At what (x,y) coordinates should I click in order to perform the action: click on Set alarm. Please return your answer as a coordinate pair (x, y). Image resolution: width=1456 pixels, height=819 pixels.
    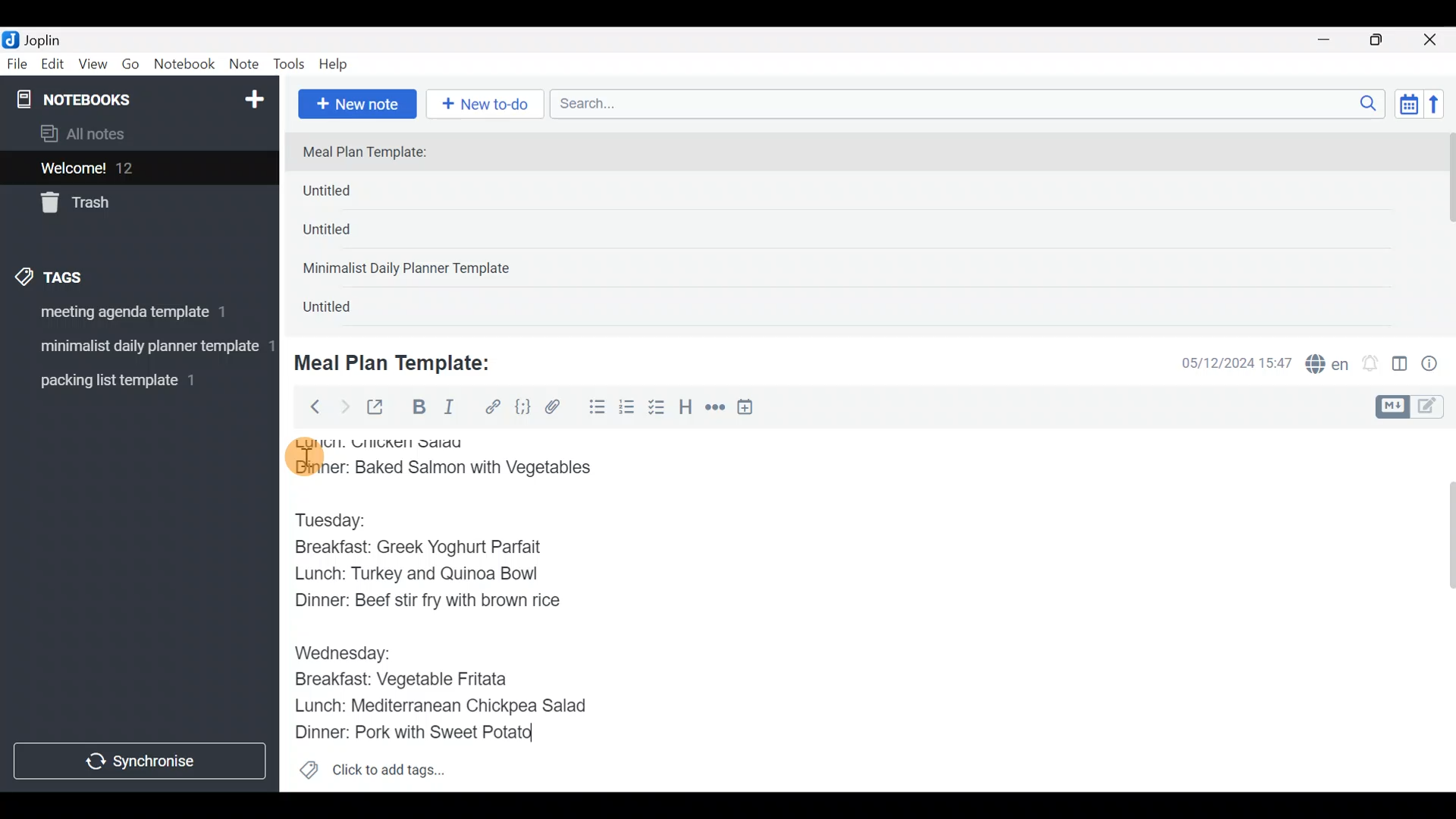
    Looking at the image, I should click on (1371, 365).